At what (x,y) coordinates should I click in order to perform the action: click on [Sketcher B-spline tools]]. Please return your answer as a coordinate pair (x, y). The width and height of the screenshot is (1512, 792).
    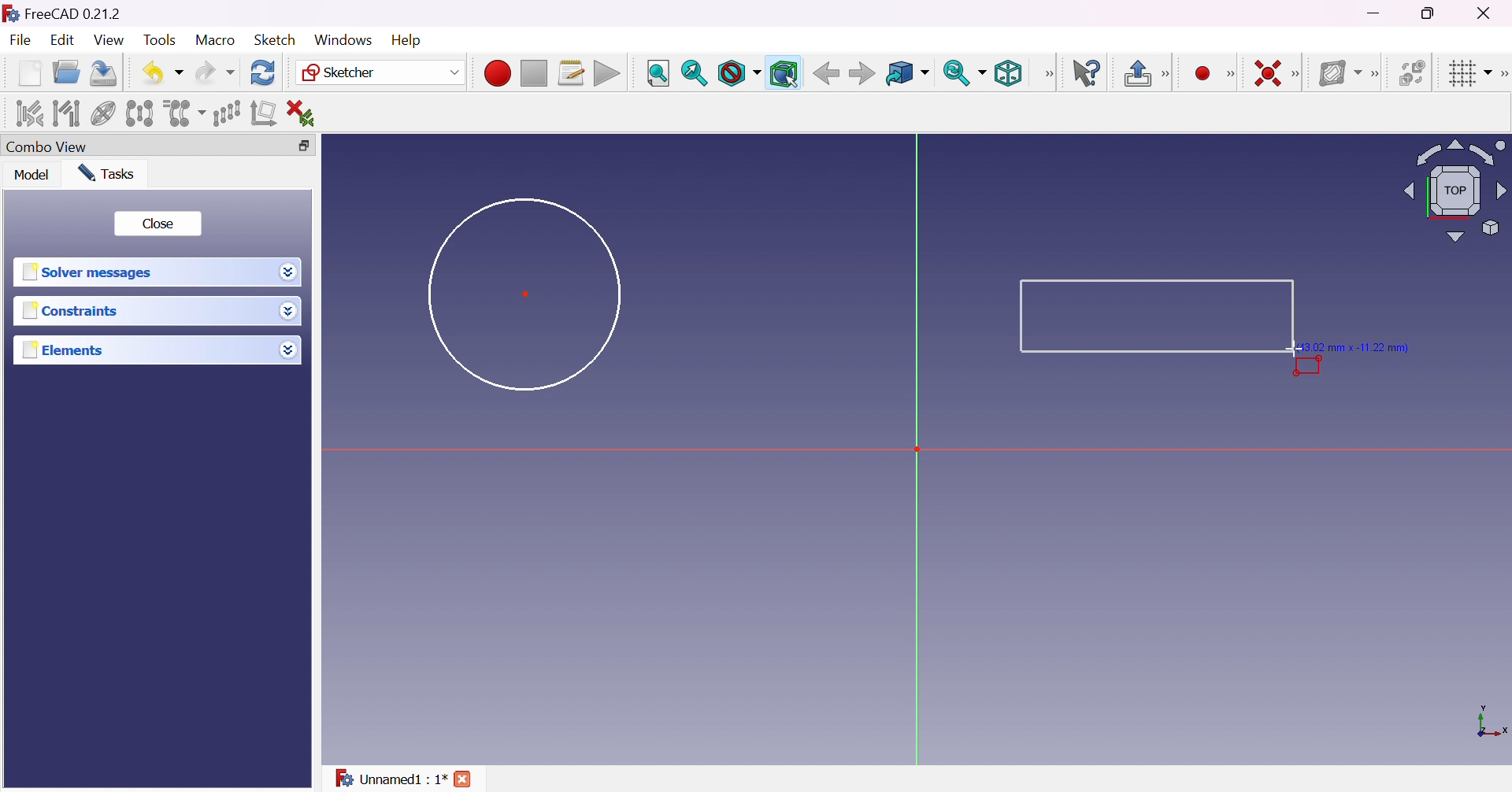
    Looking at the image, I should click on (1379, 74).